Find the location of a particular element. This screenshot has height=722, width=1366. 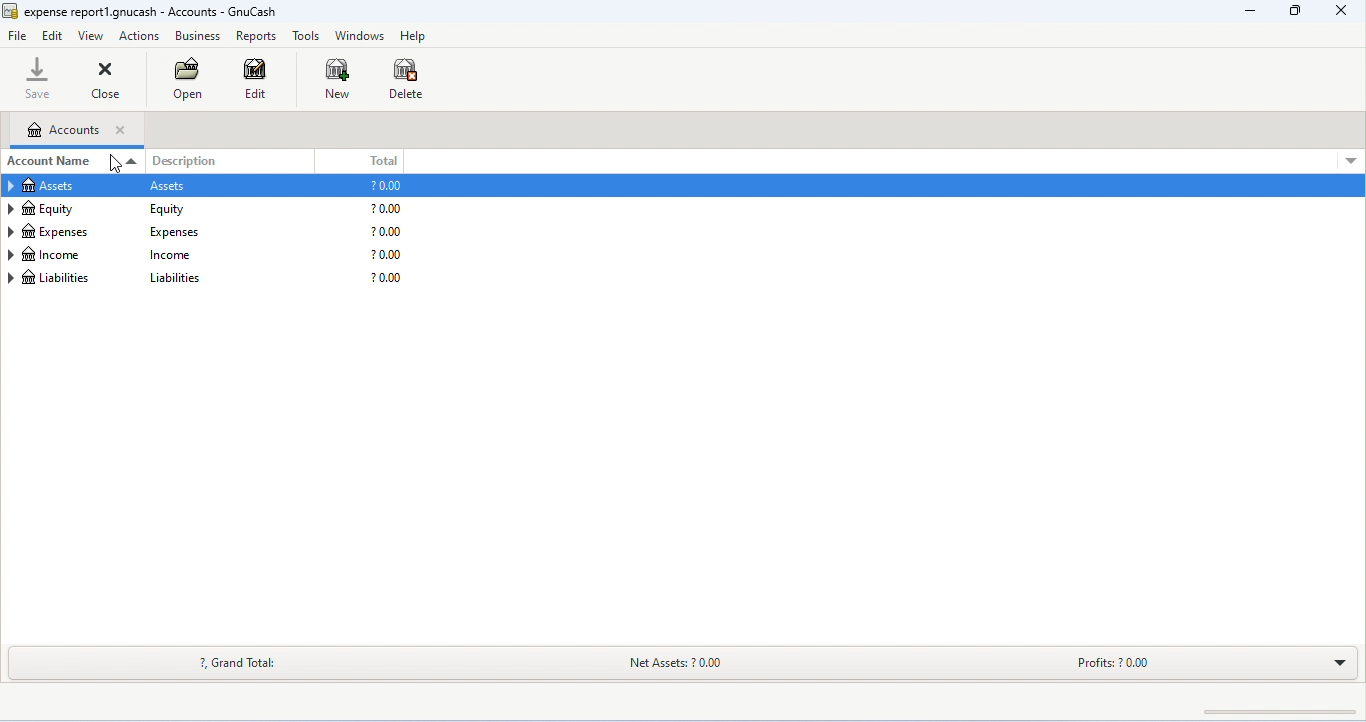

assets total is located at coordinates (385, 186).